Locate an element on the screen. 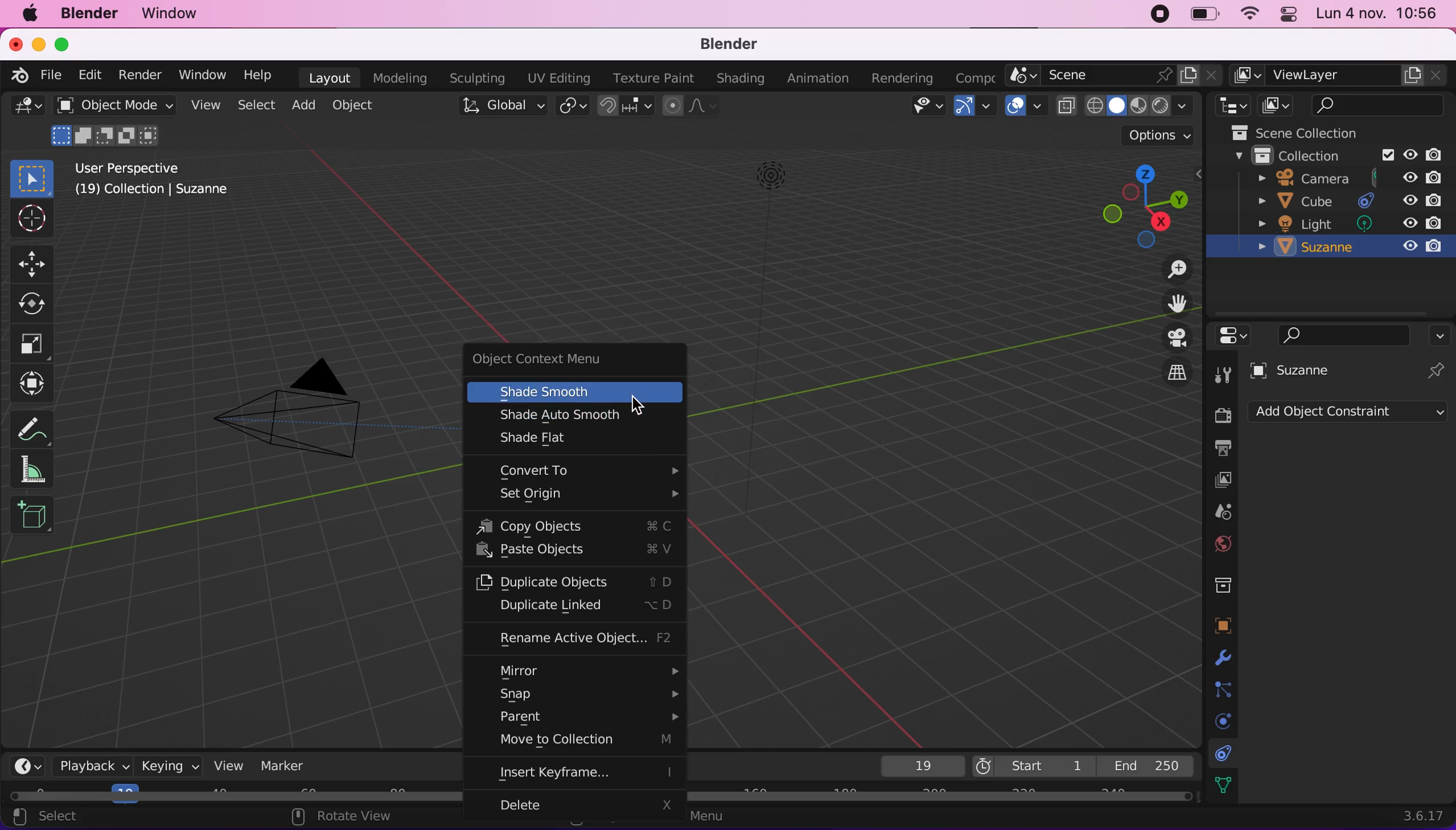 The width and height of the screenshot is (1456, 830). editor type is located at coordinates (27, 767).